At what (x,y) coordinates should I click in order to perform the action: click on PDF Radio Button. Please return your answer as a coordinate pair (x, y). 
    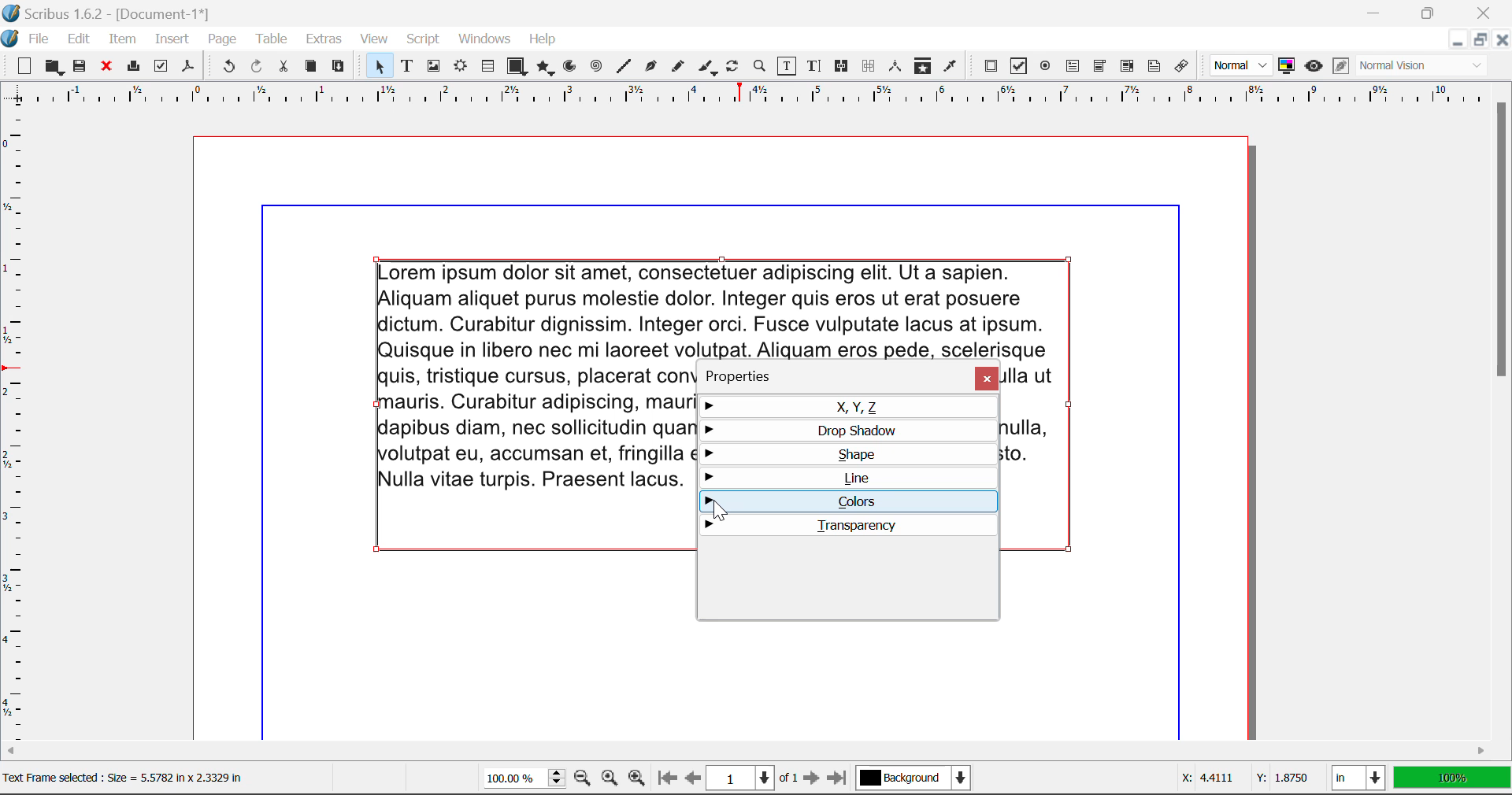
    Looking at the image, I should click on (1045, 68).